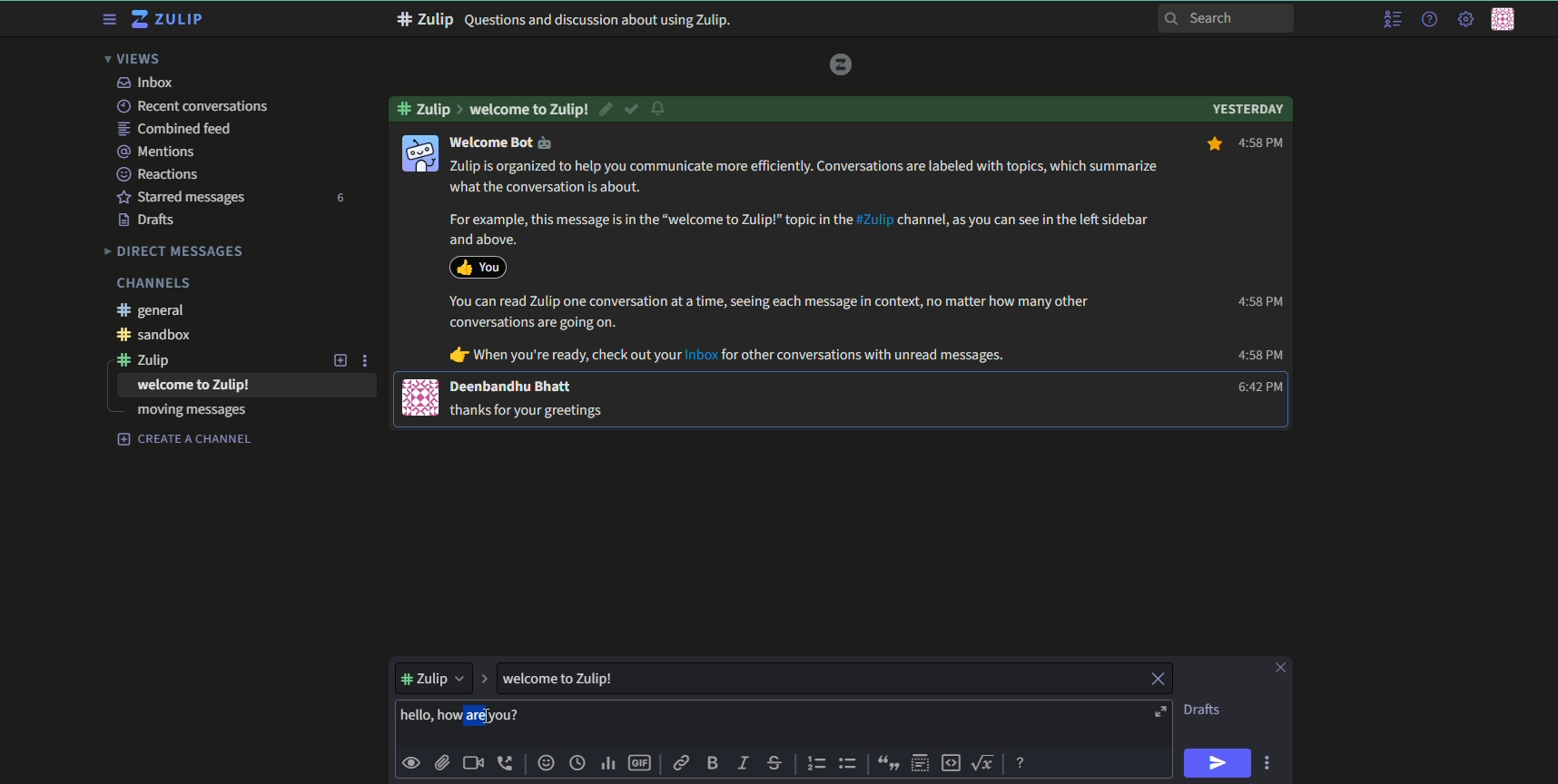 The height and width of the screenshot is (784, 1558). Describe the element at coordinates (579, 764) in the screenshot. I see `time` at that location.